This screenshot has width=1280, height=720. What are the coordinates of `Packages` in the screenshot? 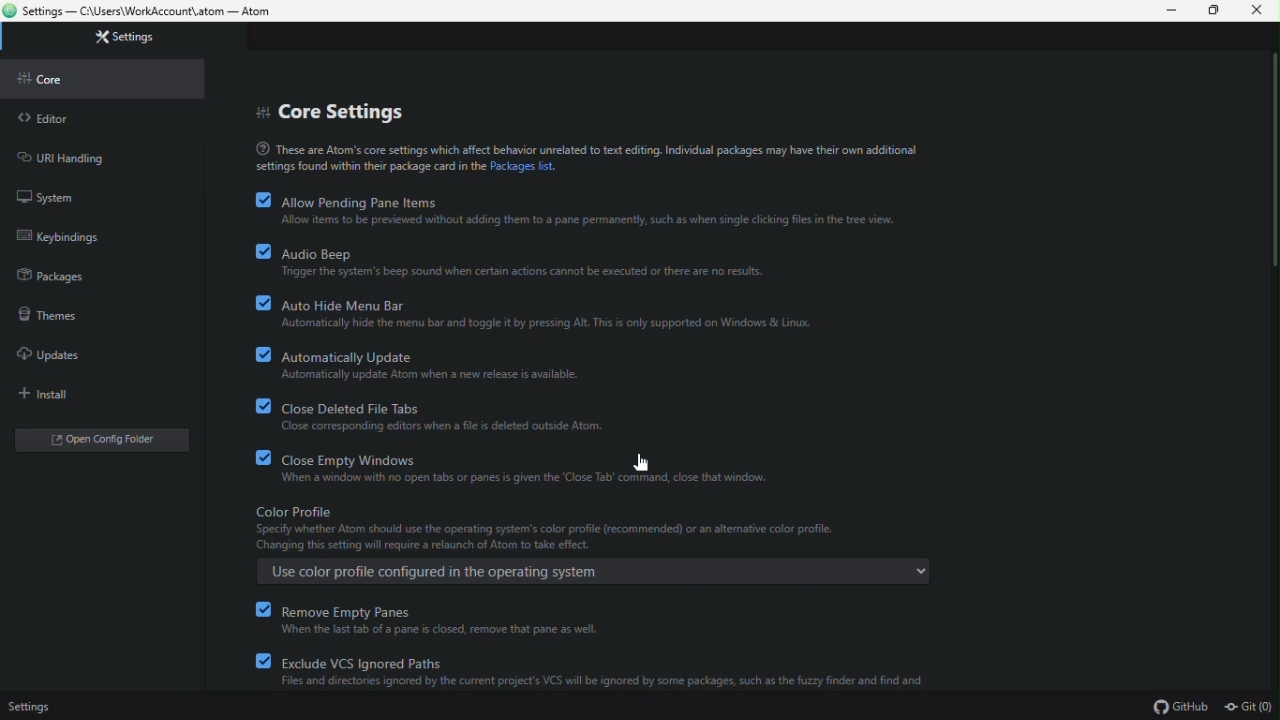 It's located at (95, 273).